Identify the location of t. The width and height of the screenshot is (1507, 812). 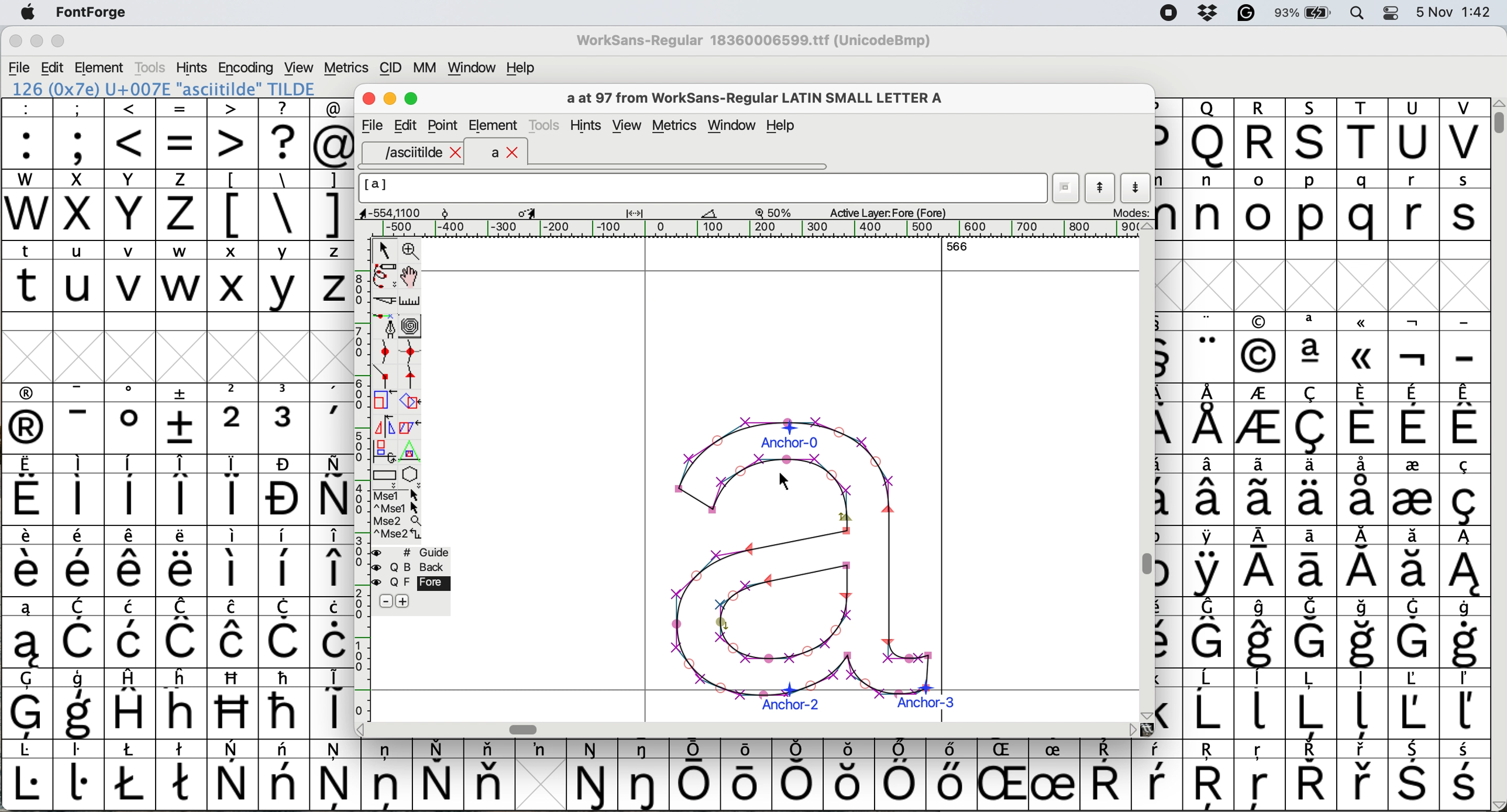
(27, 275).